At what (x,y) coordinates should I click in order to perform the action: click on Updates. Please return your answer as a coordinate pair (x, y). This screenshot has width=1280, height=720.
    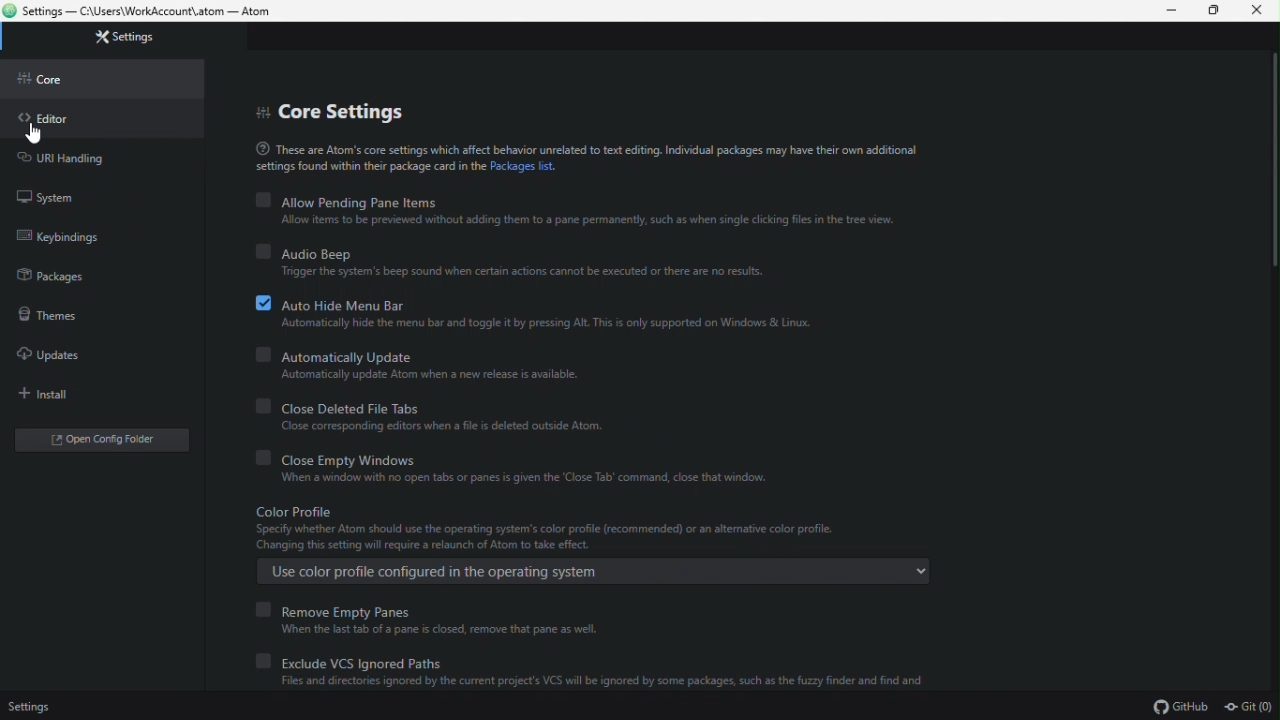
    Looking at the image, I should click on (55, 354).